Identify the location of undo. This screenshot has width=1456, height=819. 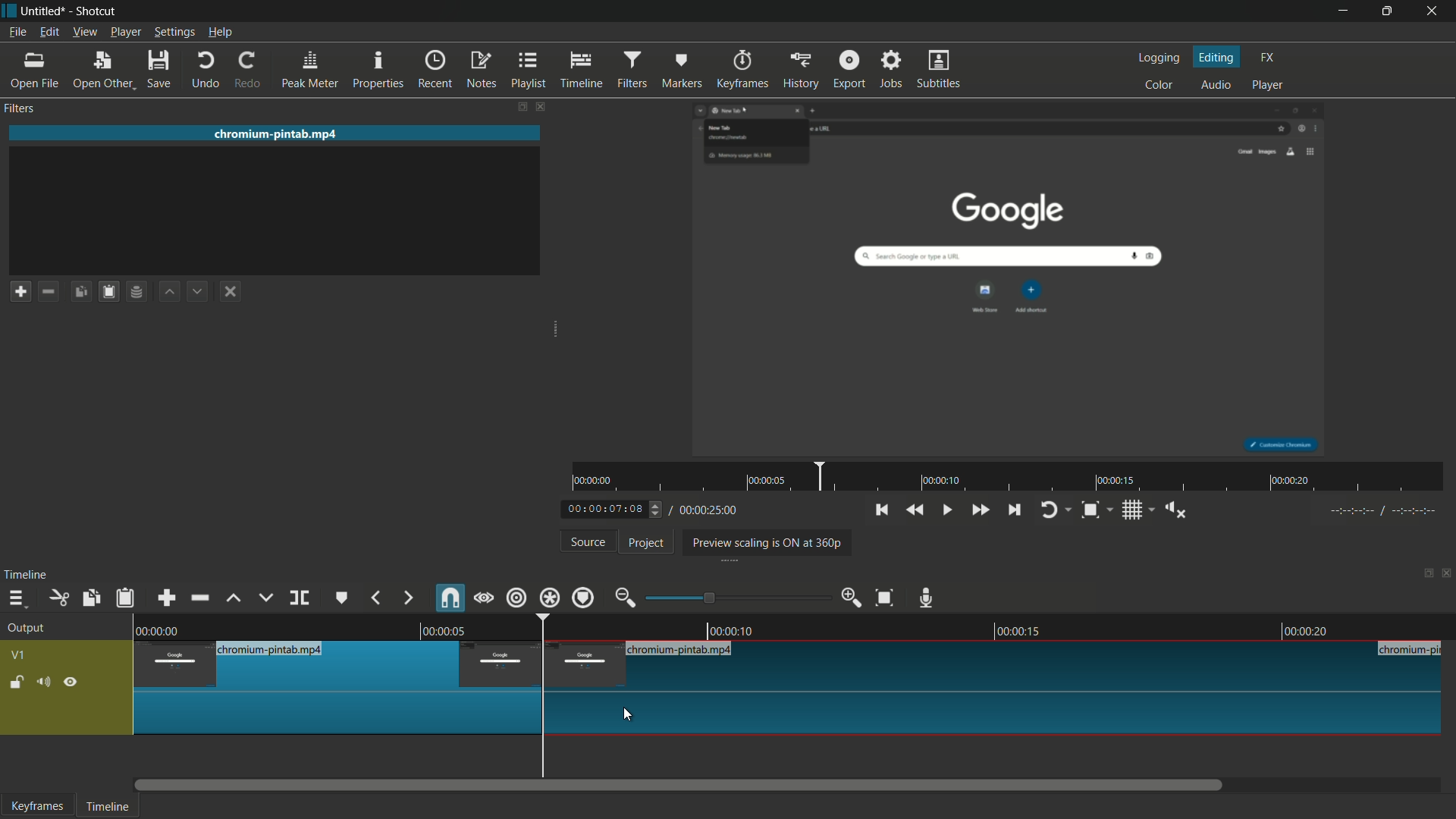
(206, 71).